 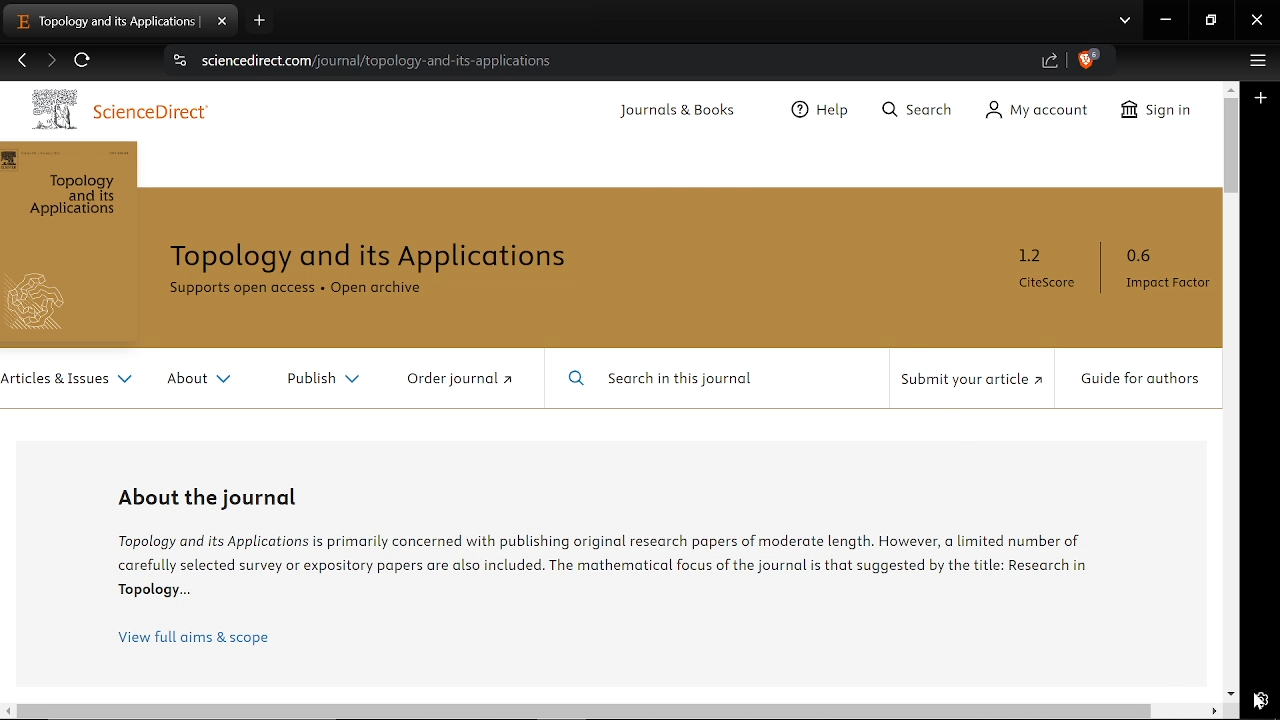 I want to click on Search Icon, so click(x=577, y=379).